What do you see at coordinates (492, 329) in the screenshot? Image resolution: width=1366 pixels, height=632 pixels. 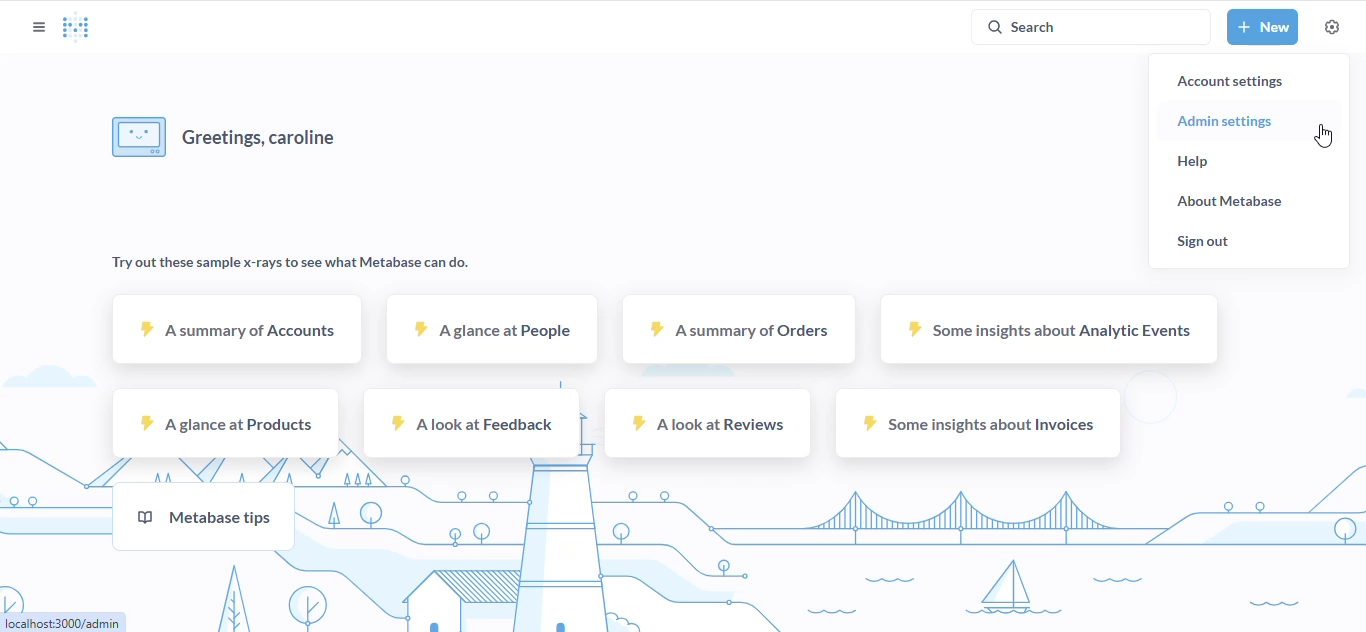 I see `a glance at people` at bounding box center [492, 329].